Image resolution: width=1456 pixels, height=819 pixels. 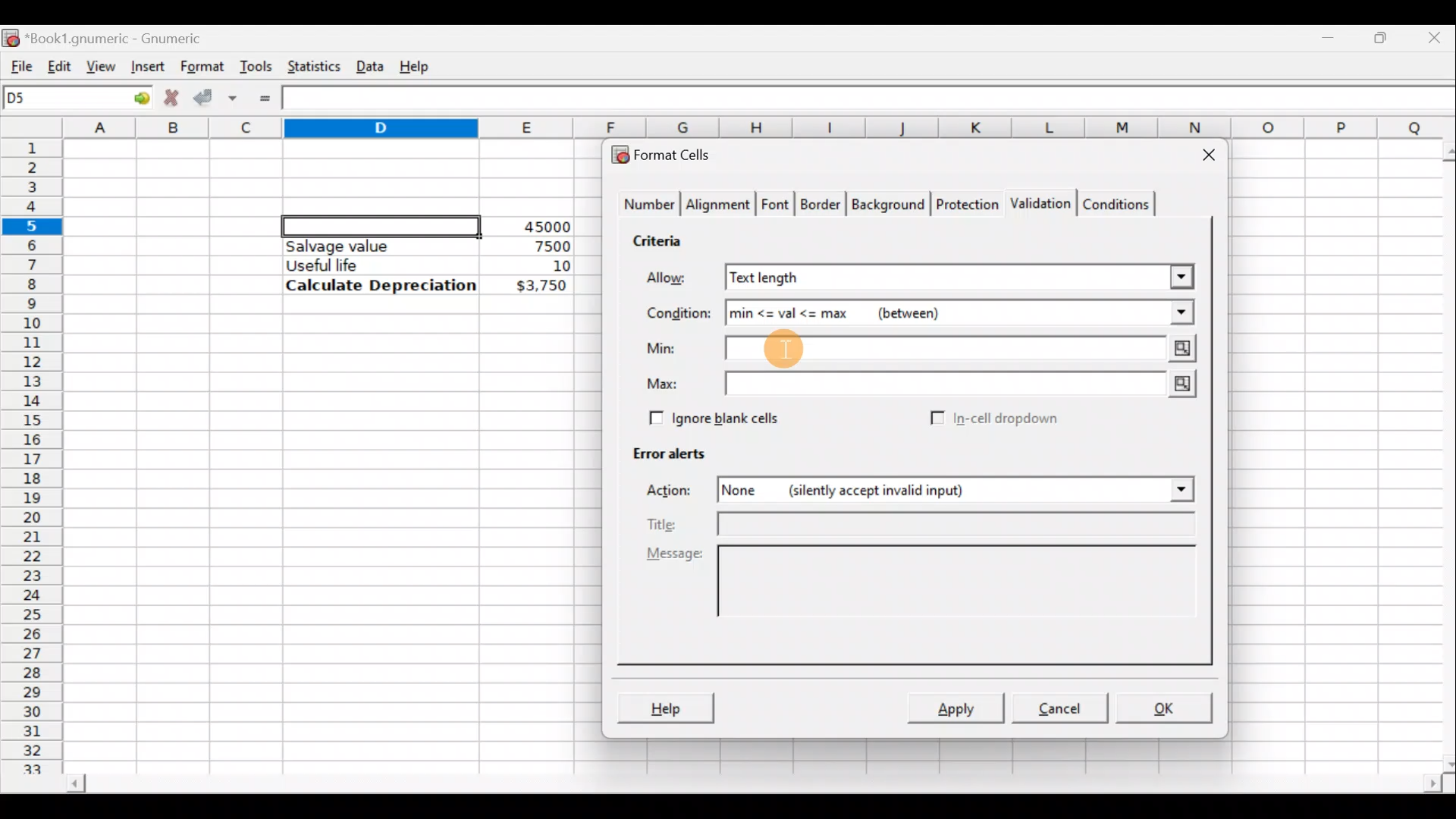 I want to click on Formula bar, so click(x=873, y=100).